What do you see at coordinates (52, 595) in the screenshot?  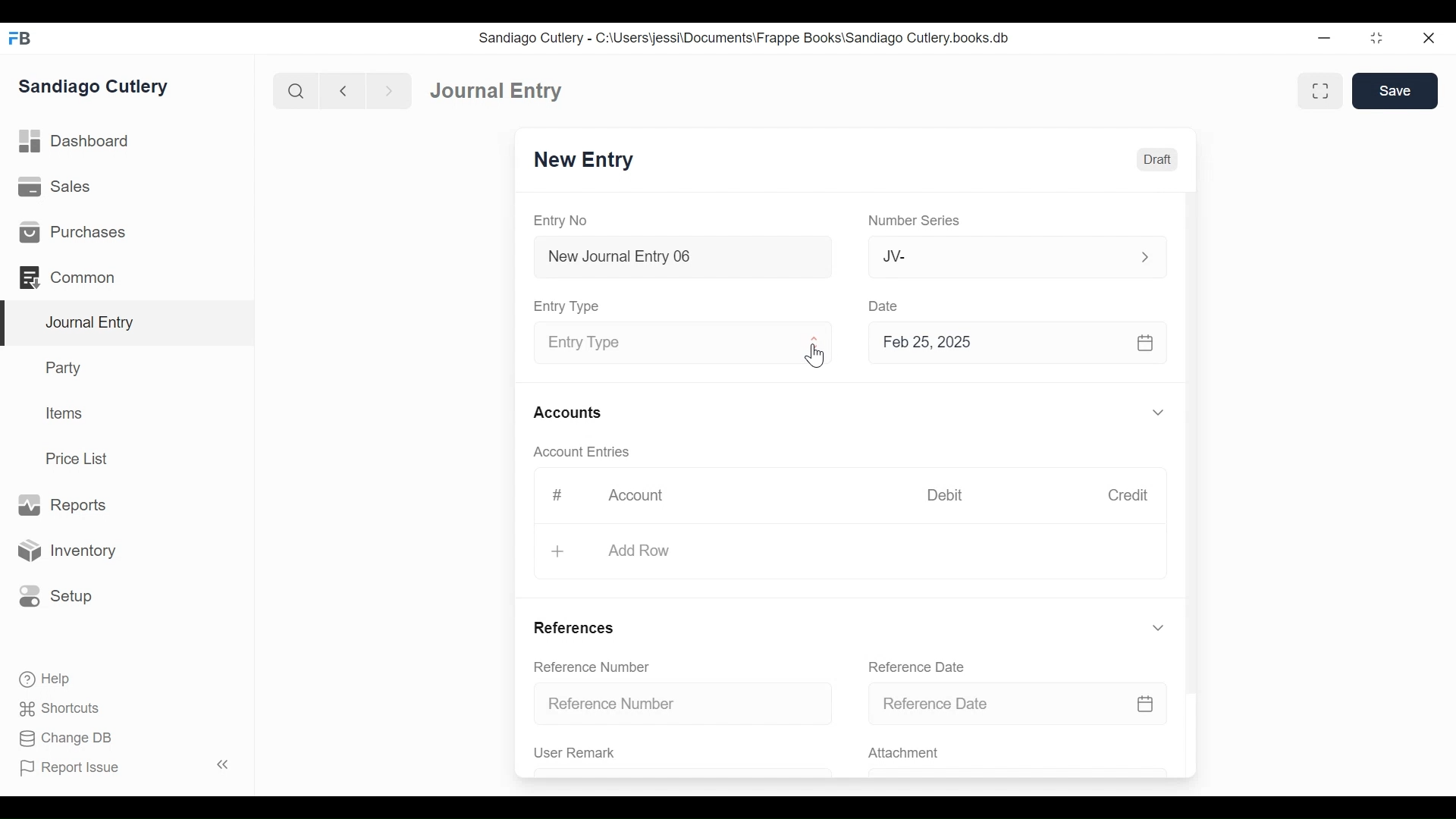 I see `Setup` at bounding box center [52, 595].